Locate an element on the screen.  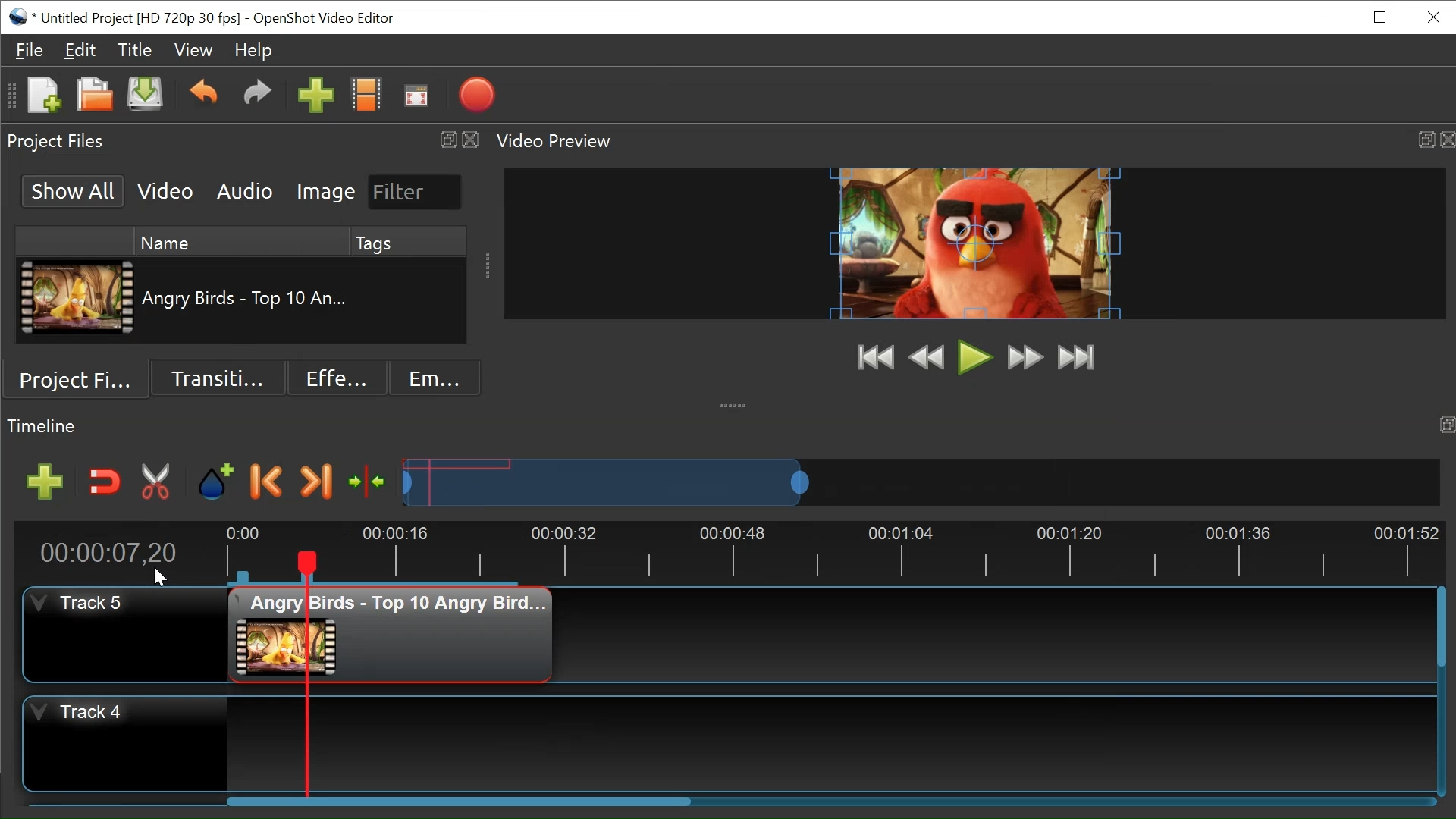
Play is located at coordinates (975, 357).